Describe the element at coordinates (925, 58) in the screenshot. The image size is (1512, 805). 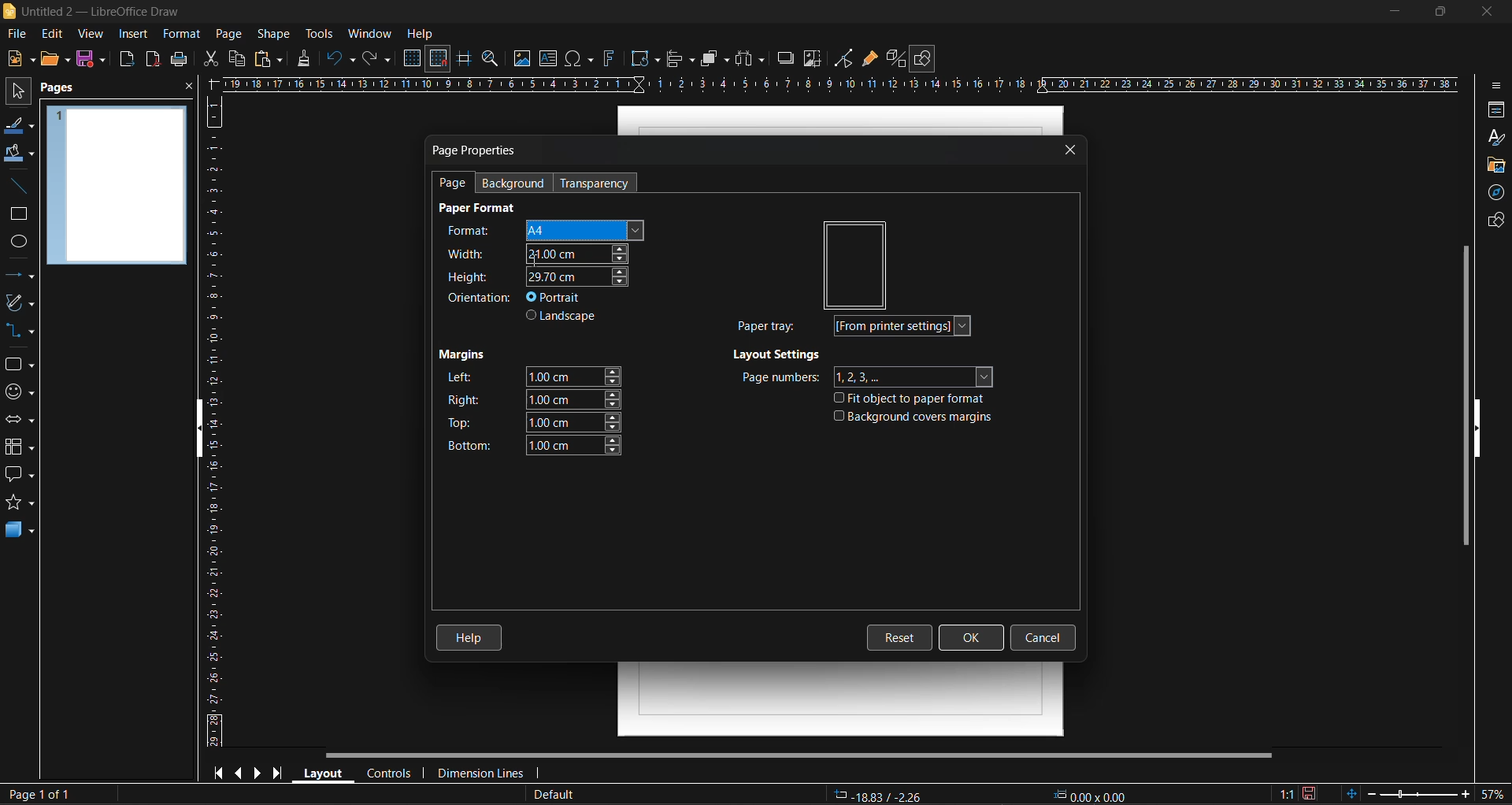
I see `show draw functions` at that location.